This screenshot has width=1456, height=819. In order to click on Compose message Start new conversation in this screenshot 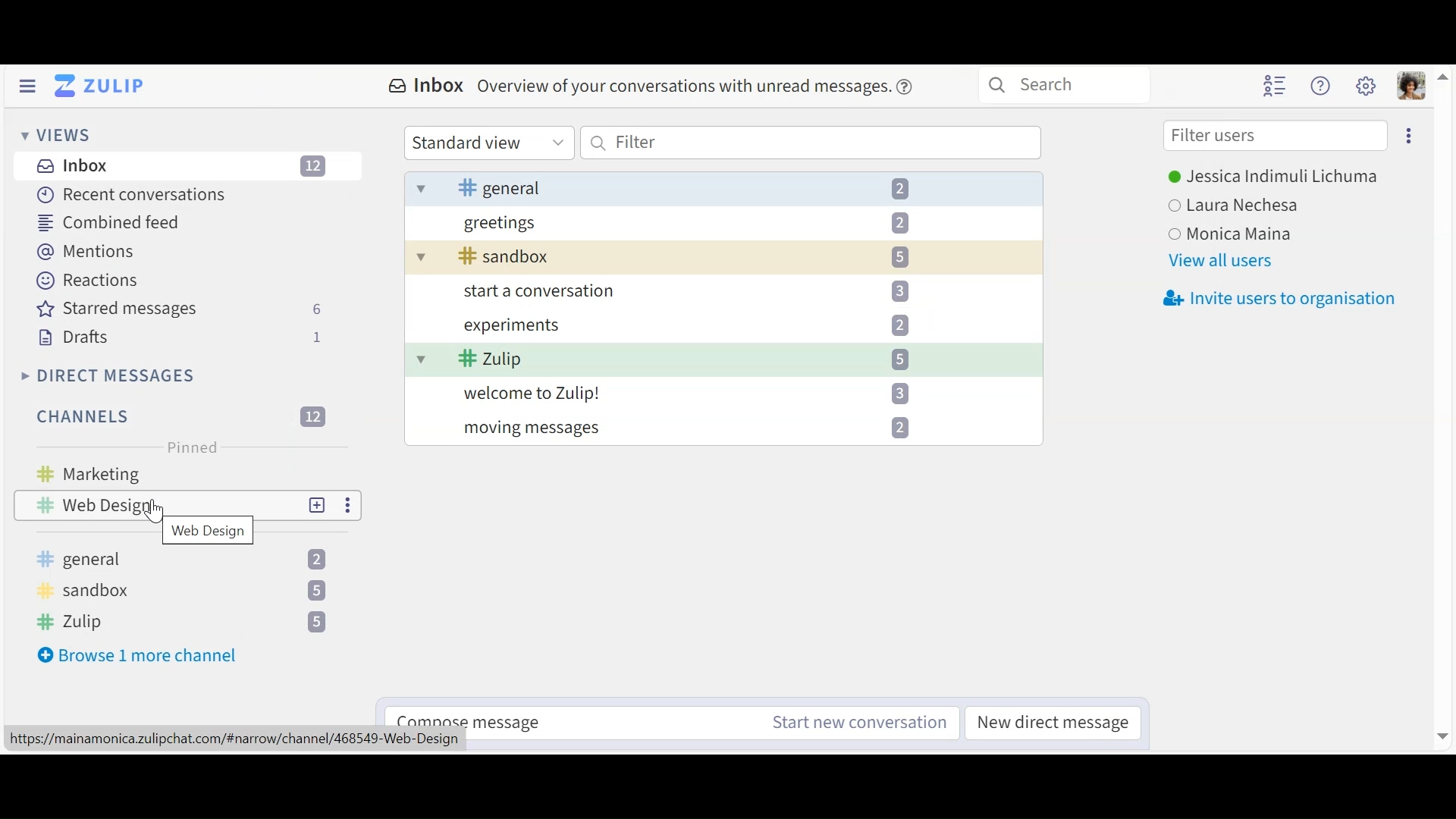, I will do `click(716, 722)`.